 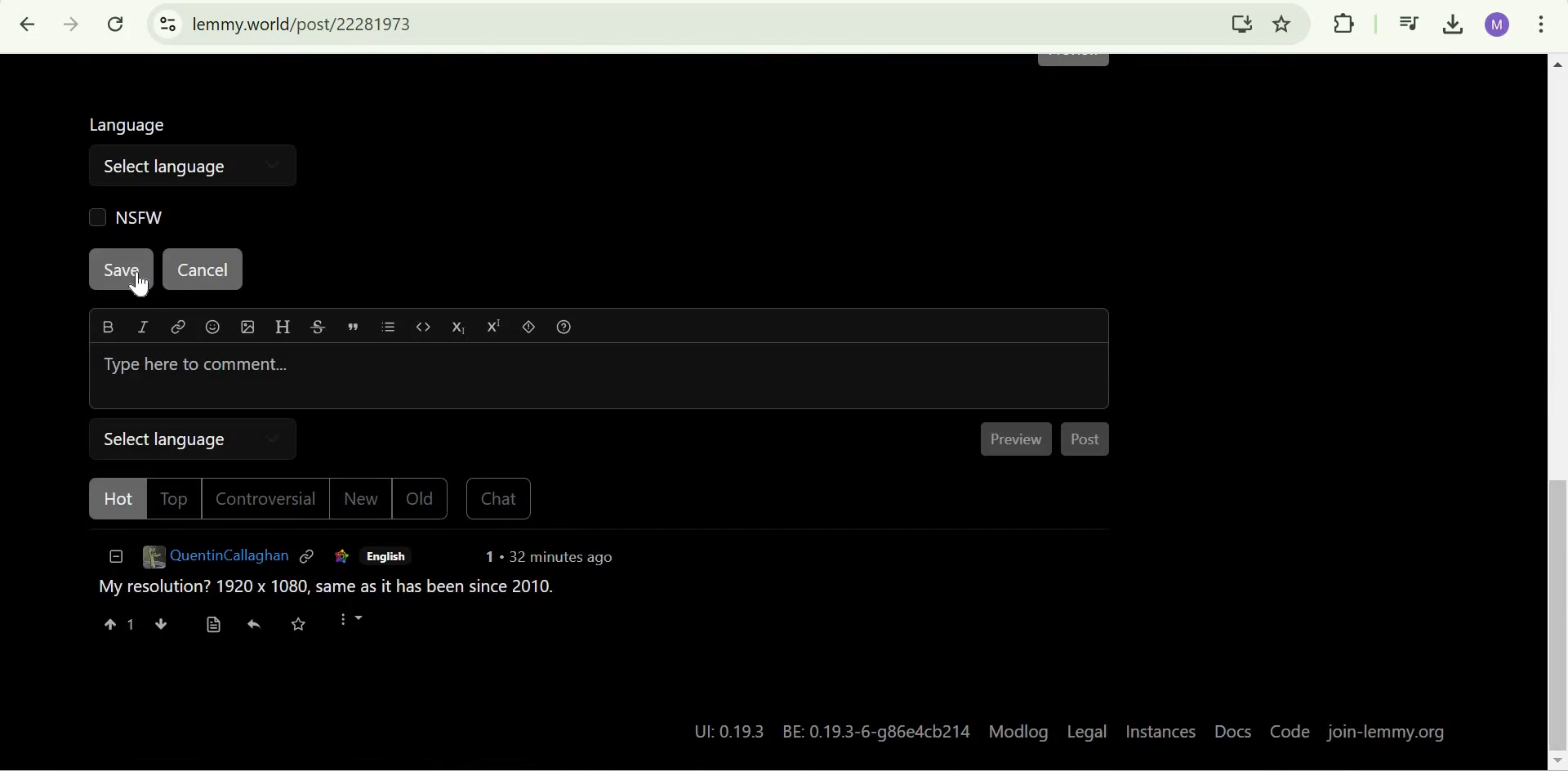 What do you see at coordinates (355, 327) in the screenshot?
I see `quote` at bounding box center [355, 327].